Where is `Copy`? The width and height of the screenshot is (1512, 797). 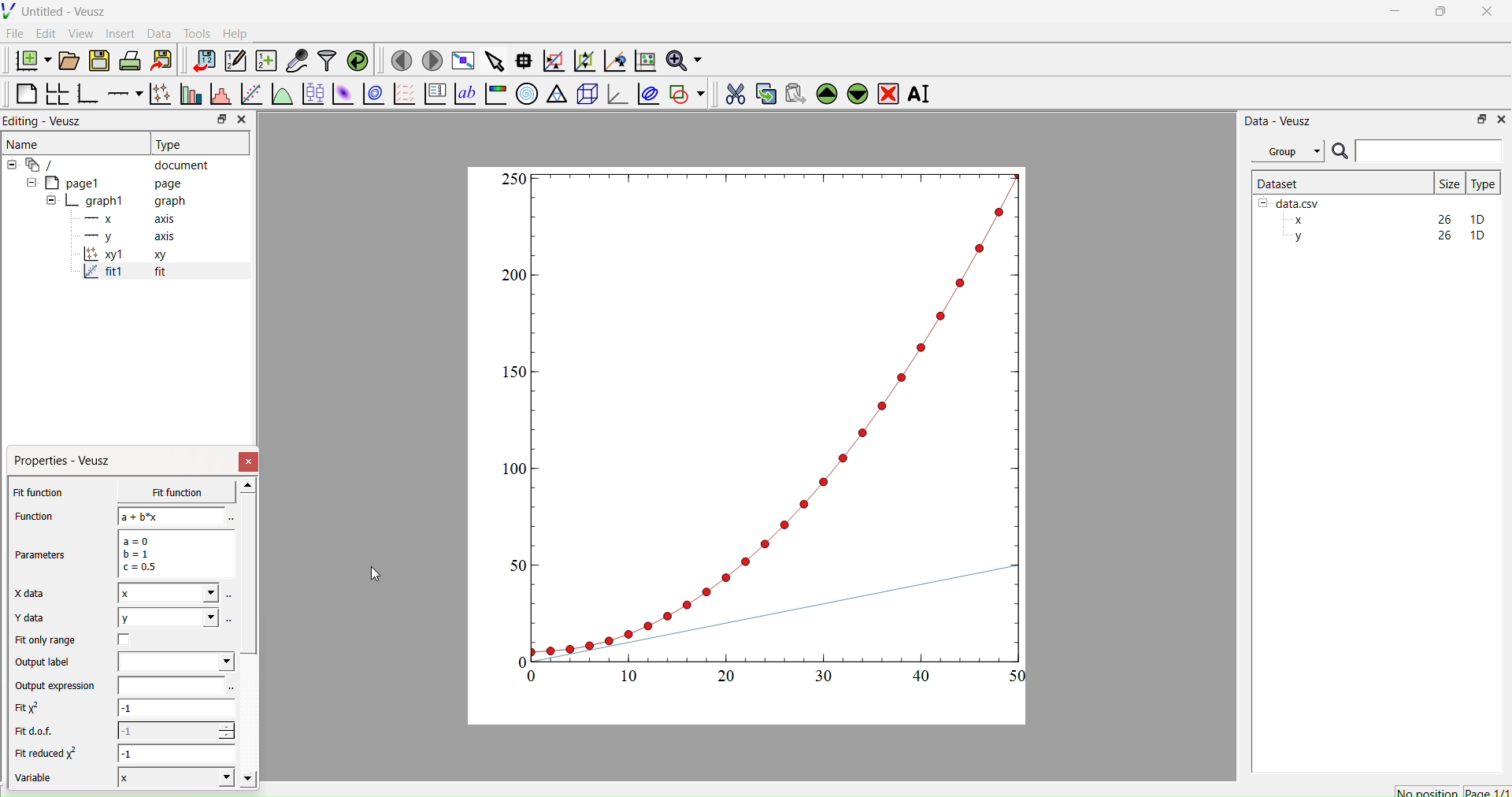
Copy is located at coordinates (762, 92).